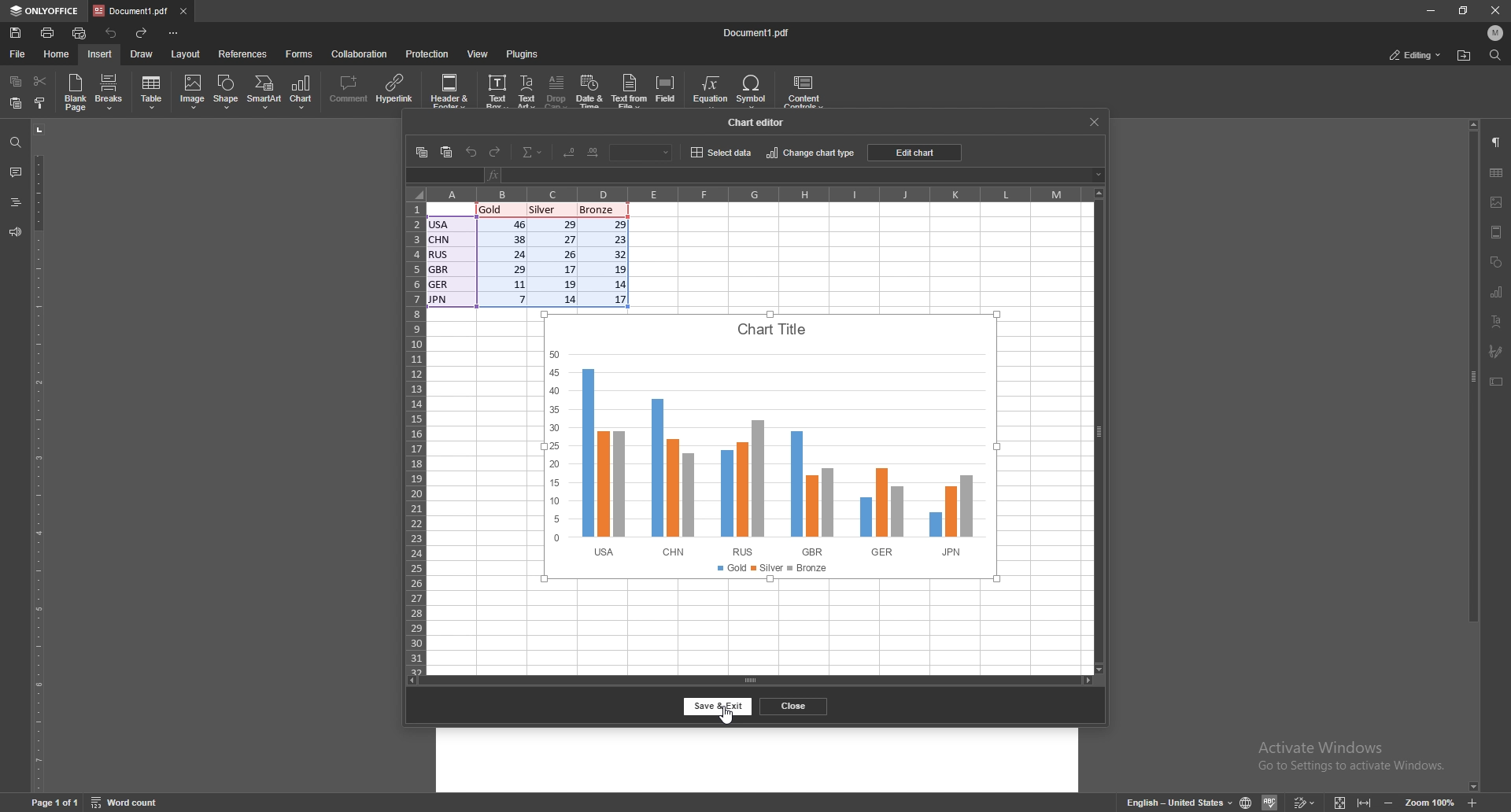 Image resolution: width=1511 pixels, height=812 pixels. What do you see at coordinates (566, 299) in the screenshot?
I see `14` at bounding box center [566, 299].